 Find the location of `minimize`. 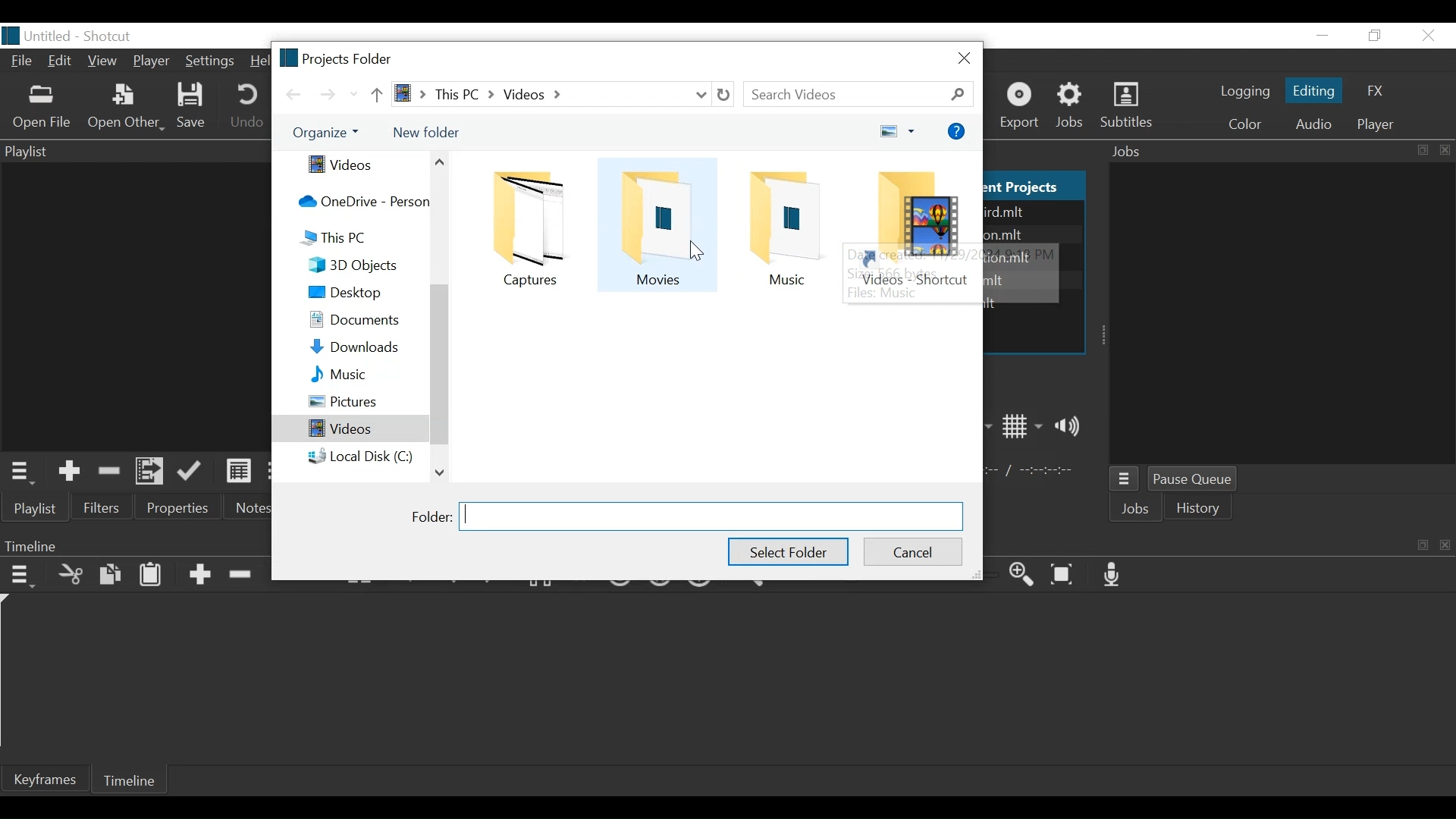

minimize is located at coordinates (1323, 35).